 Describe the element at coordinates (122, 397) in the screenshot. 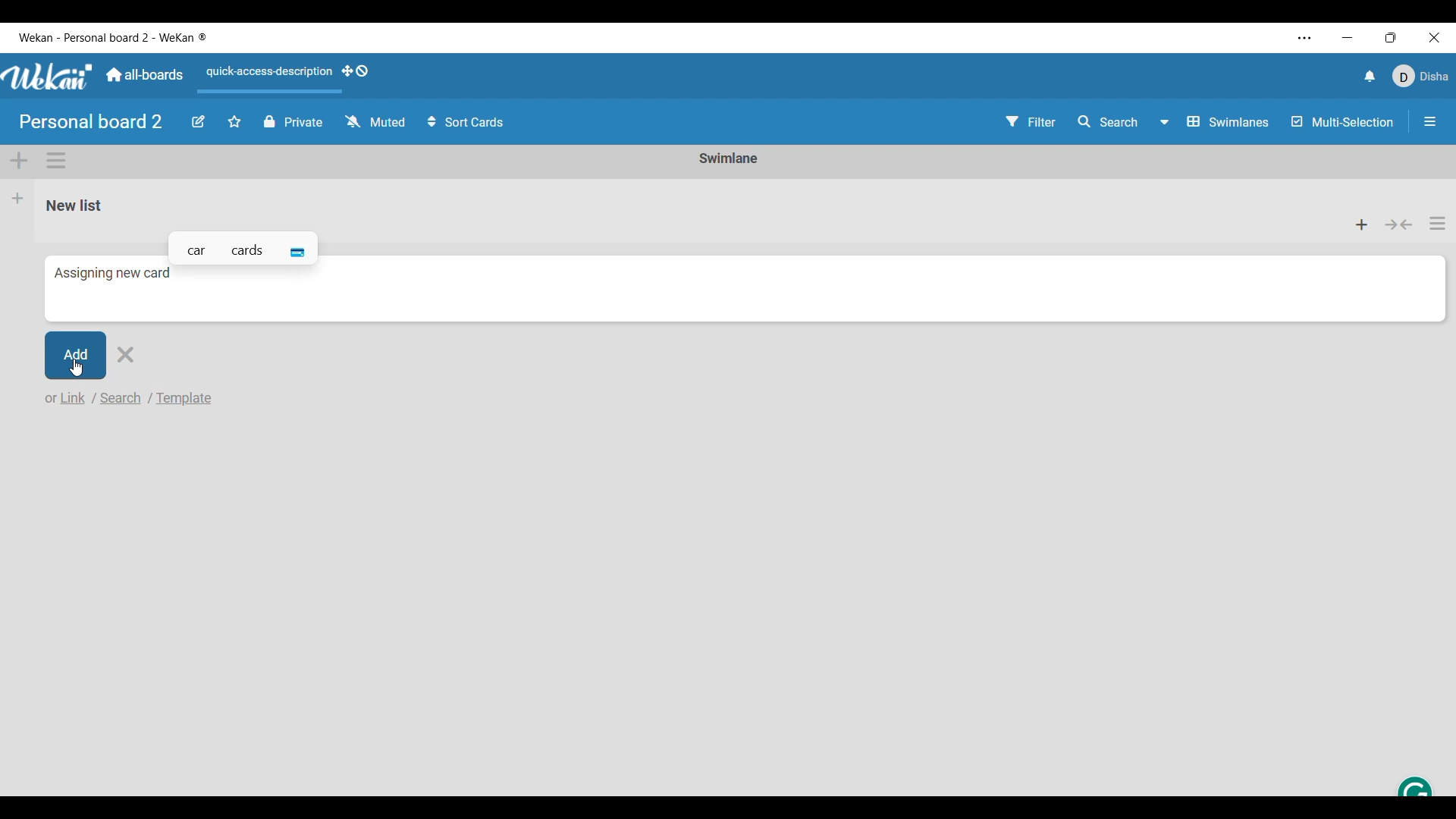

I see `Search card` at that location.